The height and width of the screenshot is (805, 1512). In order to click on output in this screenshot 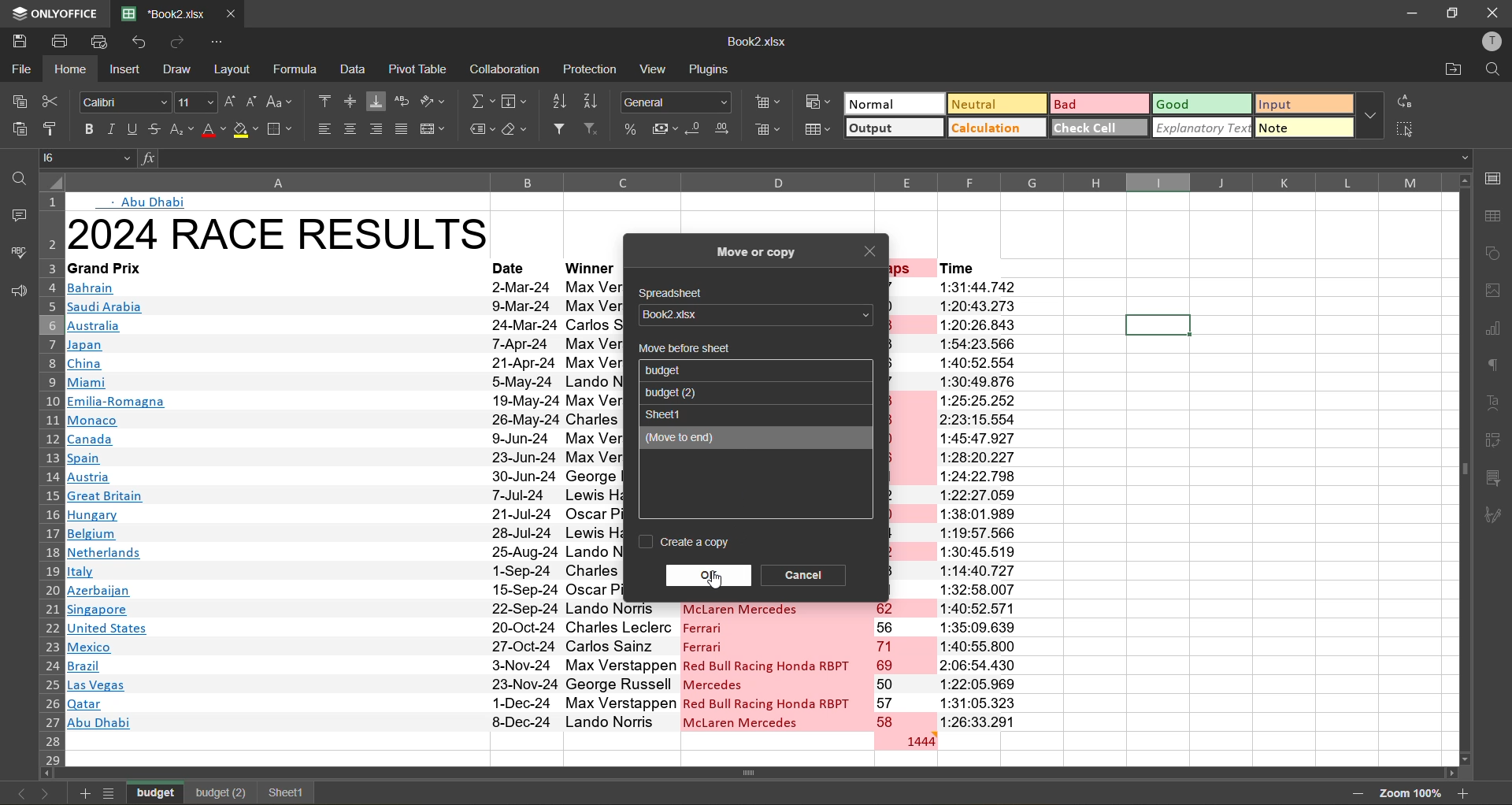, I will do `click(894, 129)`.